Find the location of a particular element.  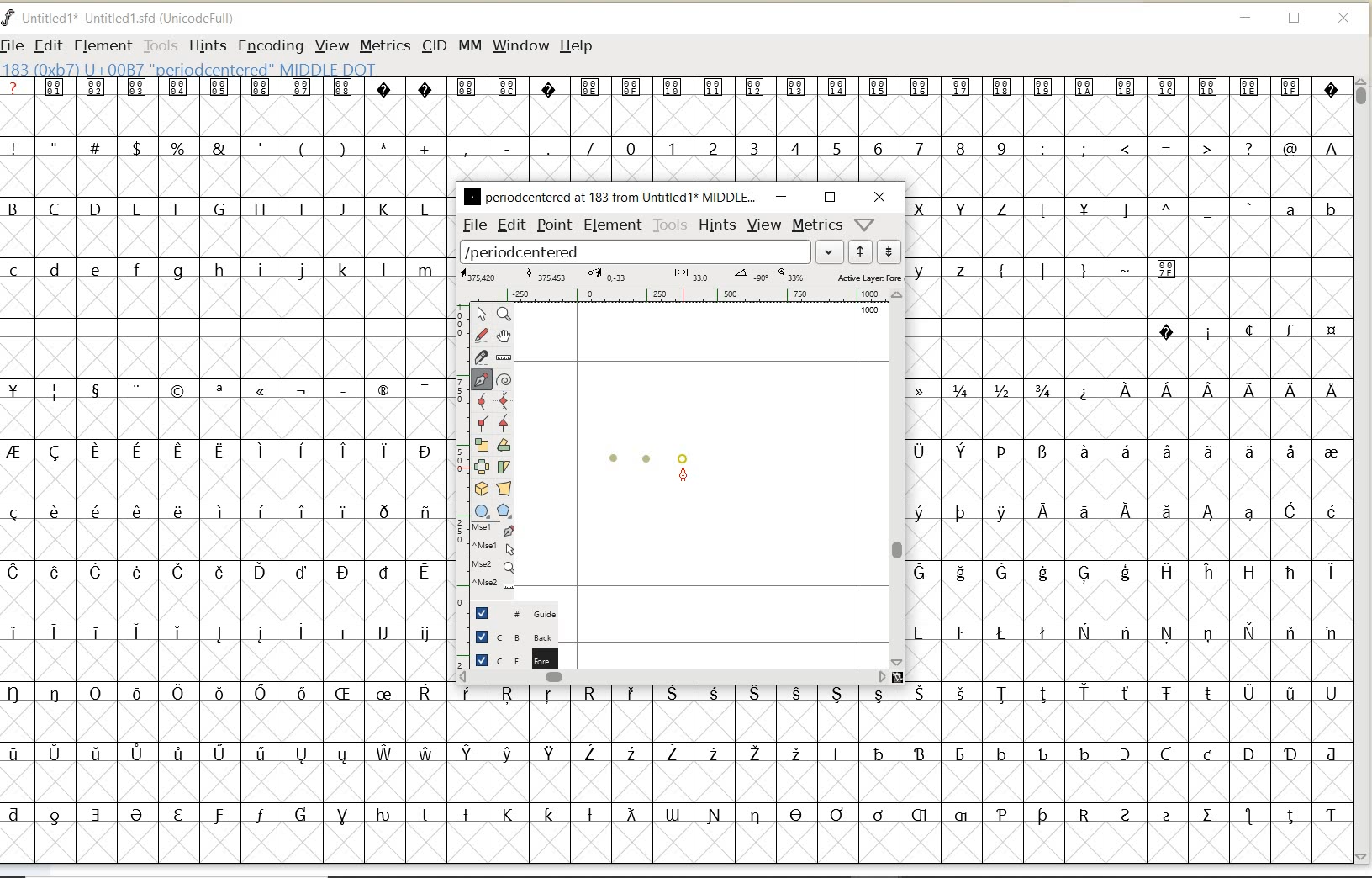

foreground is located at coordinates (510, 658).